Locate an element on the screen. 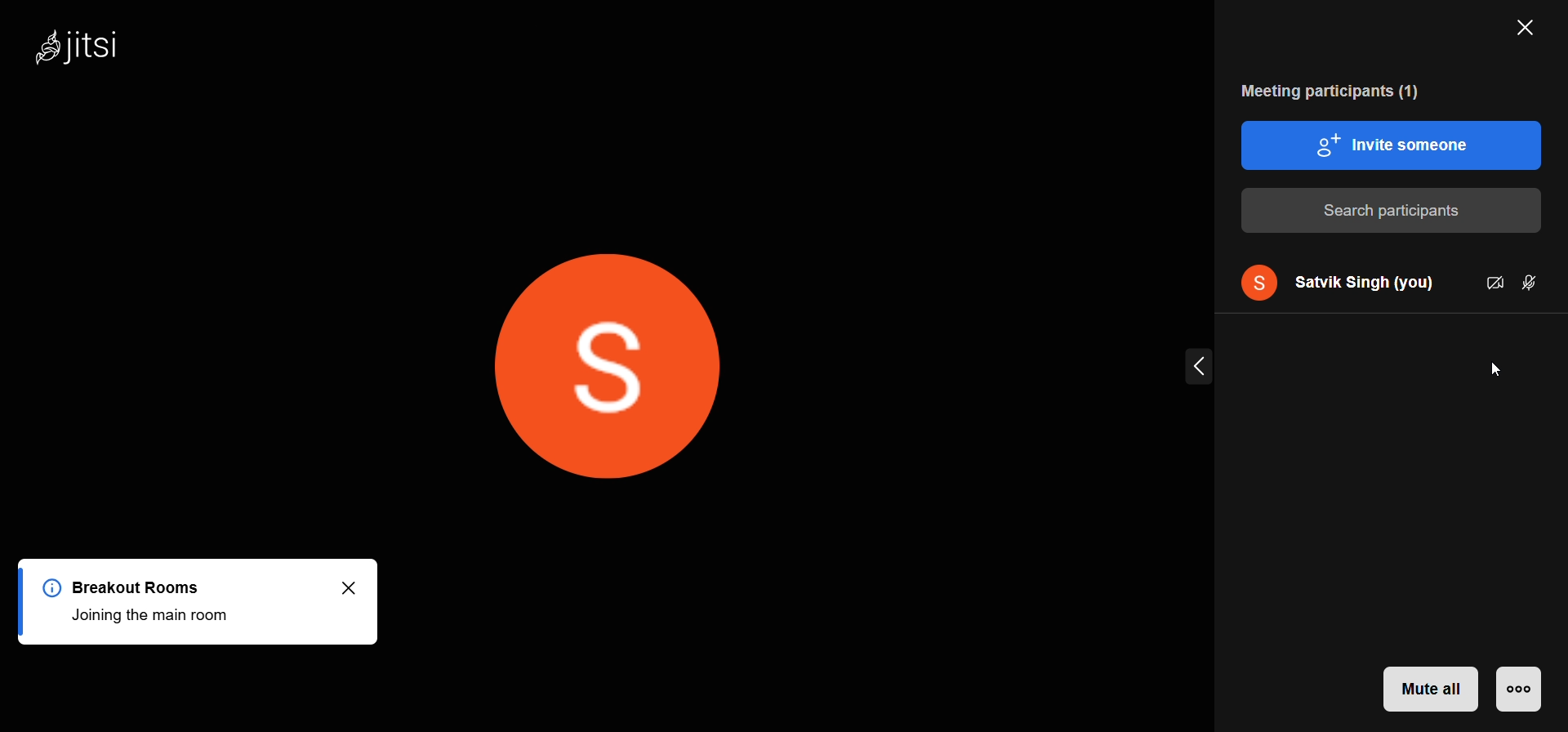 The height and width of the screenshot is (732, 1568). search participant is located at coordinates (1392, 212).